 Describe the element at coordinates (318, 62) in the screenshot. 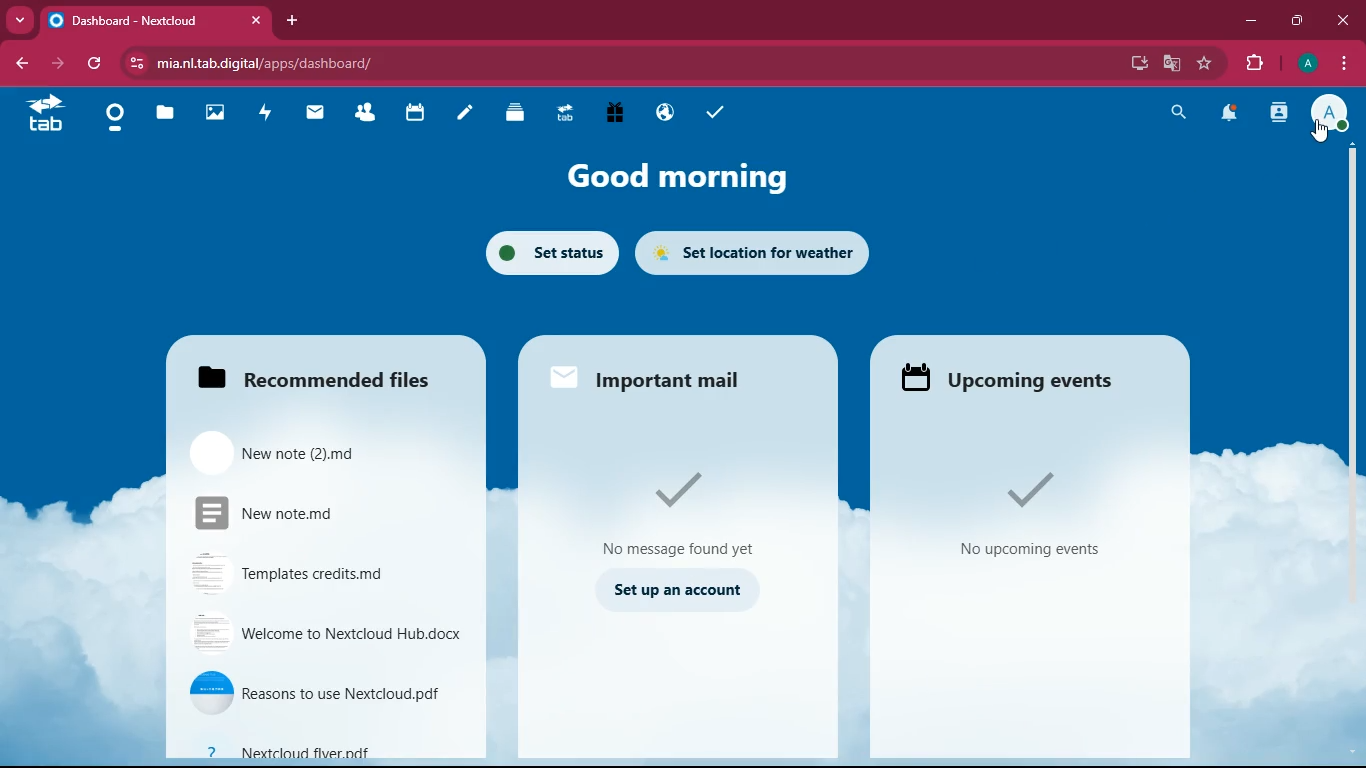

I see `mia.nltab.digital/apps/dashboard/` at that location.